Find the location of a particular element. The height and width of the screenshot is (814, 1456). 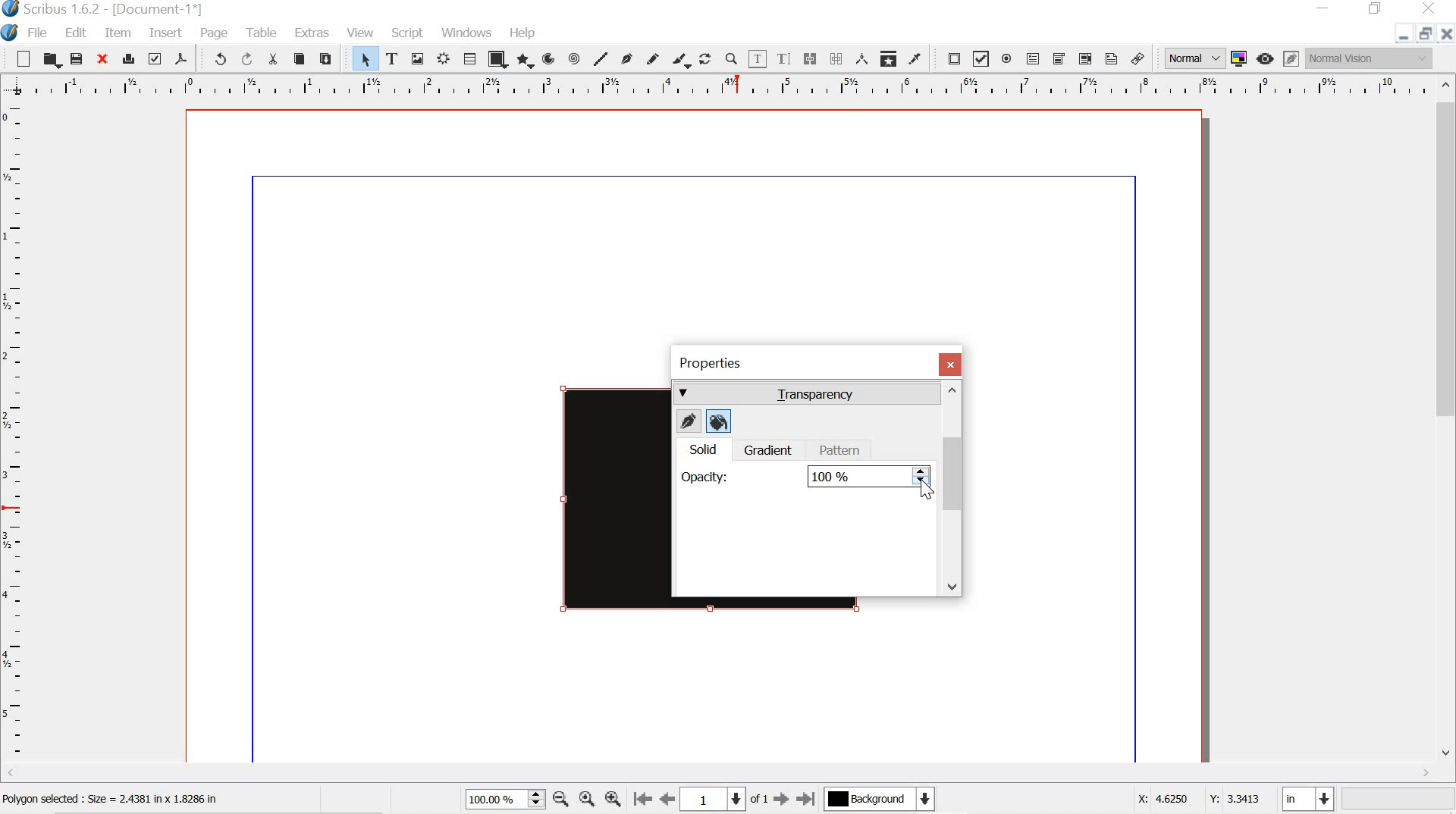

properties is located at coordinates (710, 365).